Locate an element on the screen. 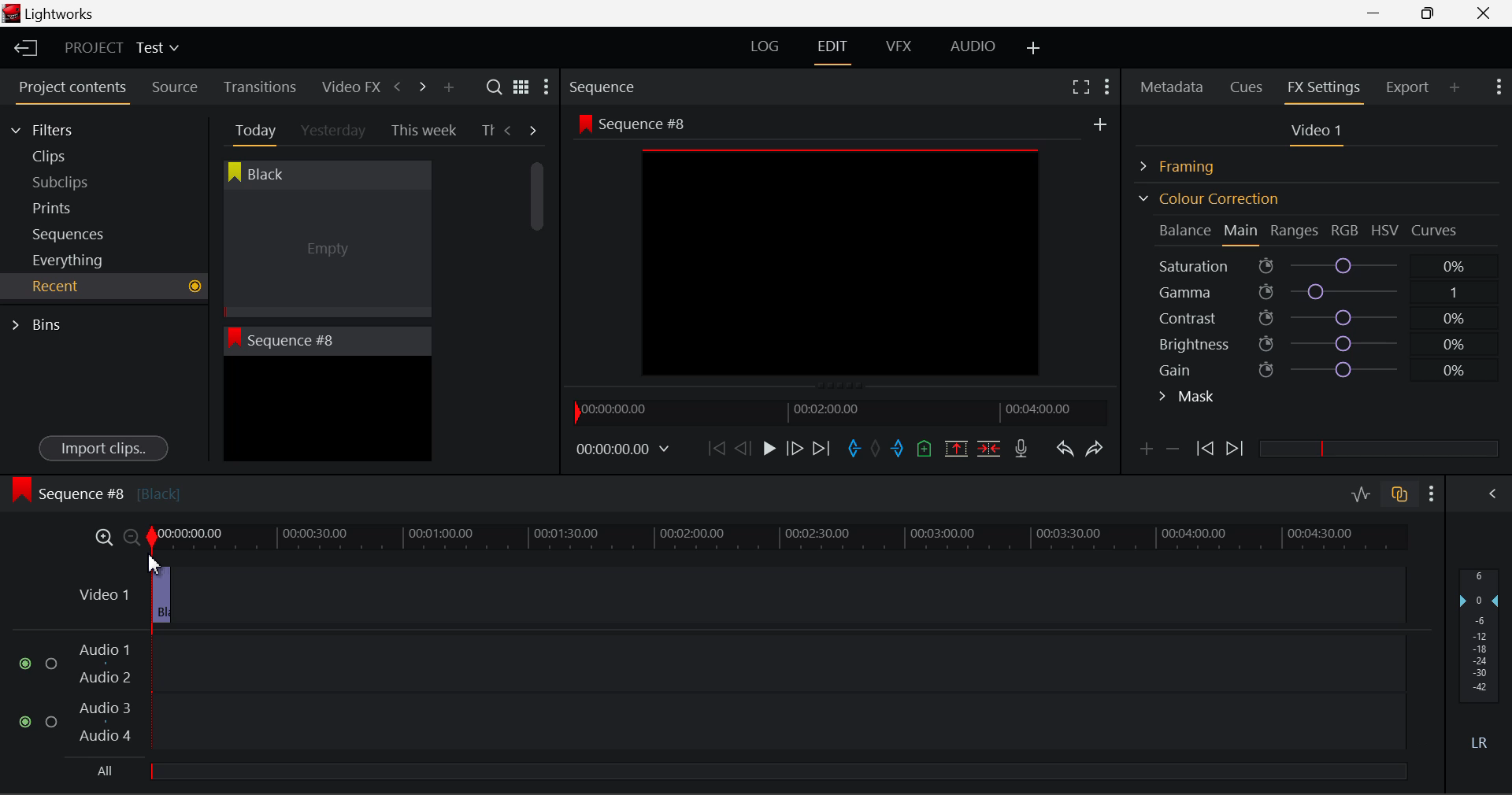 The height and width of the screenshot is (795, 1512). Framing Section is located at coordinates (1190, 164).